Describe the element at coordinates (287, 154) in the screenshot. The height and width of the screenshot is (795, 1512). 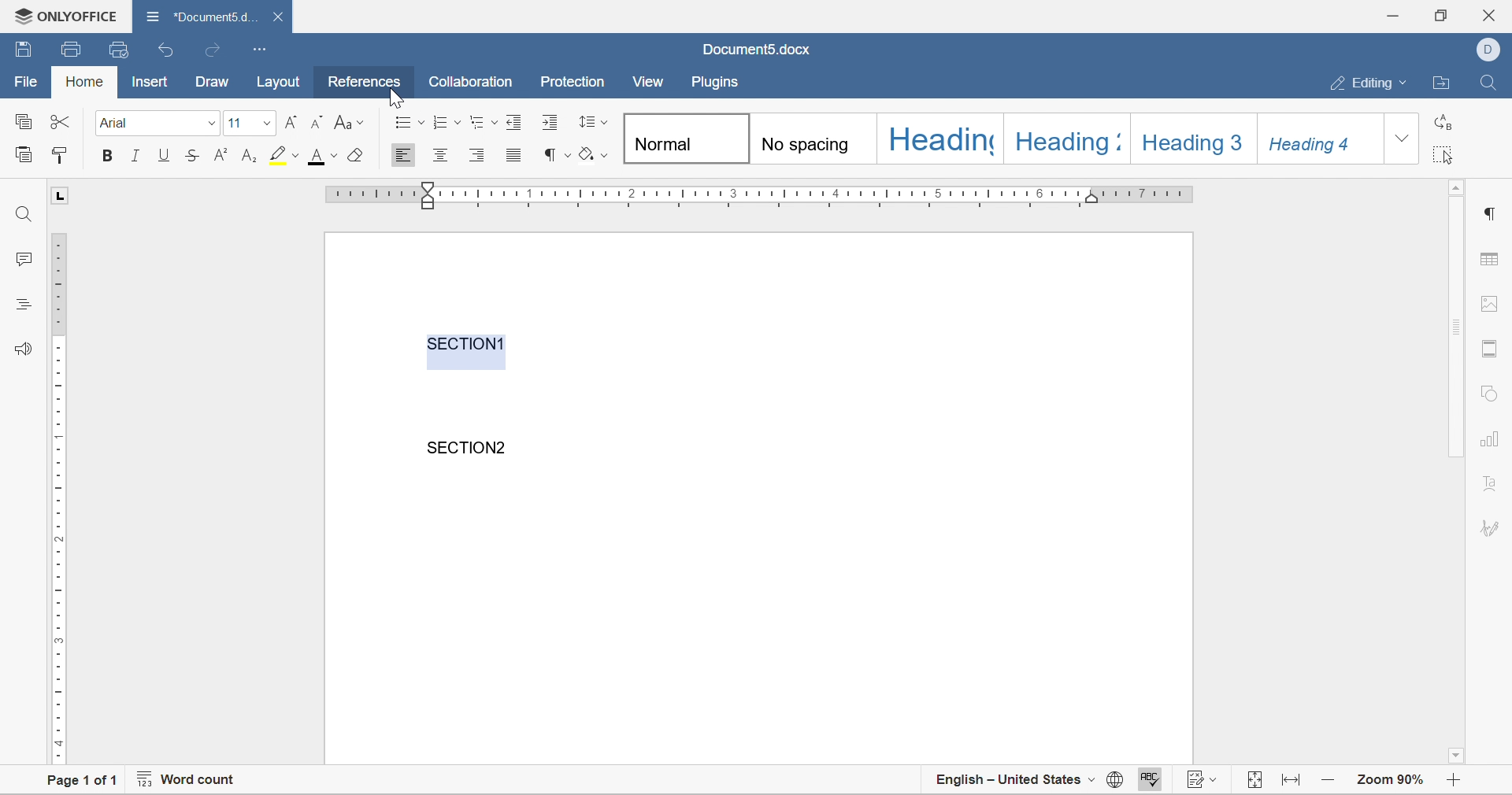
I see `highlight color` at that location.